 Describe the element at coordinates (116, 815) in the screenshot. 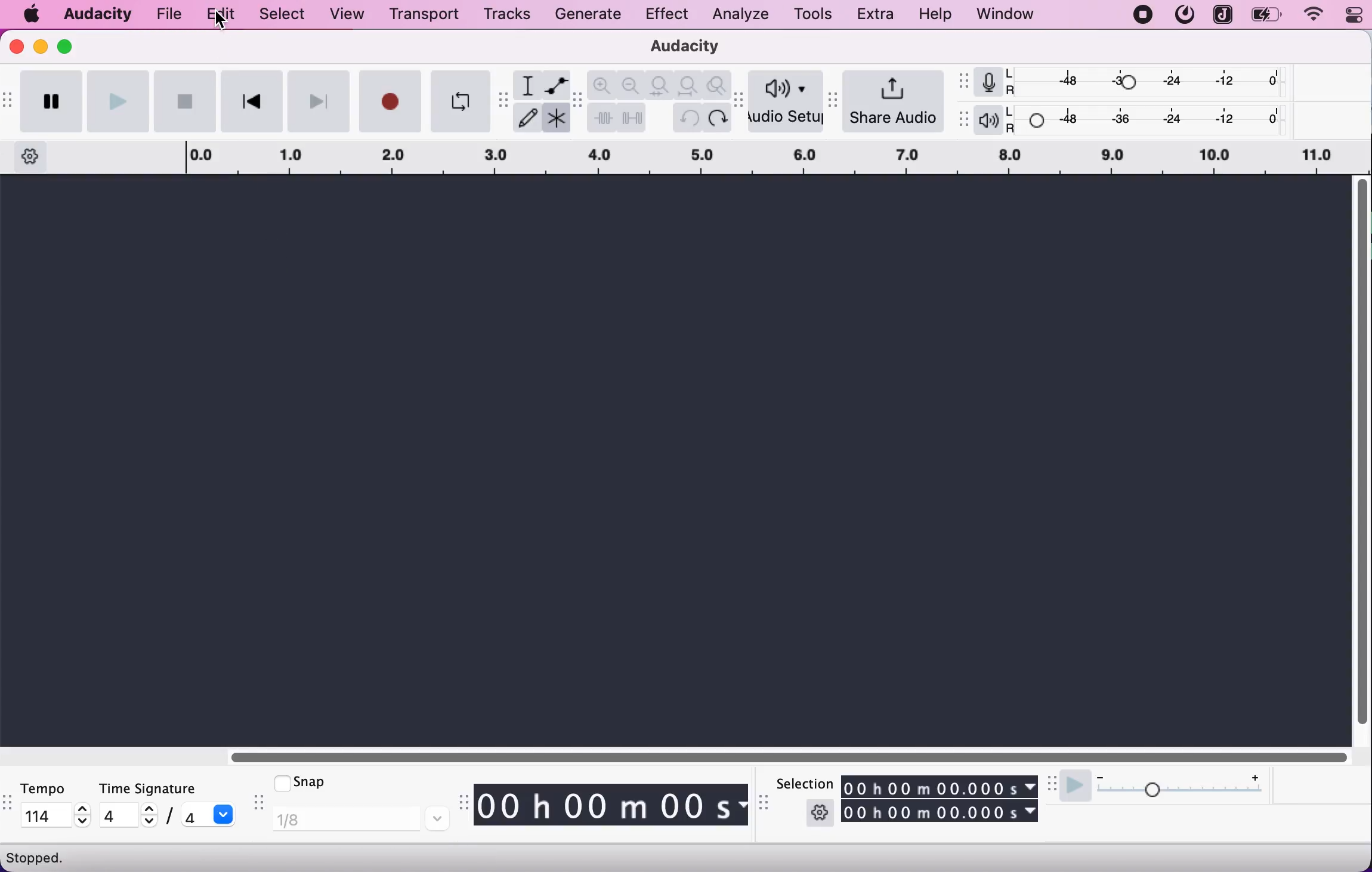

I see `4` at that location.